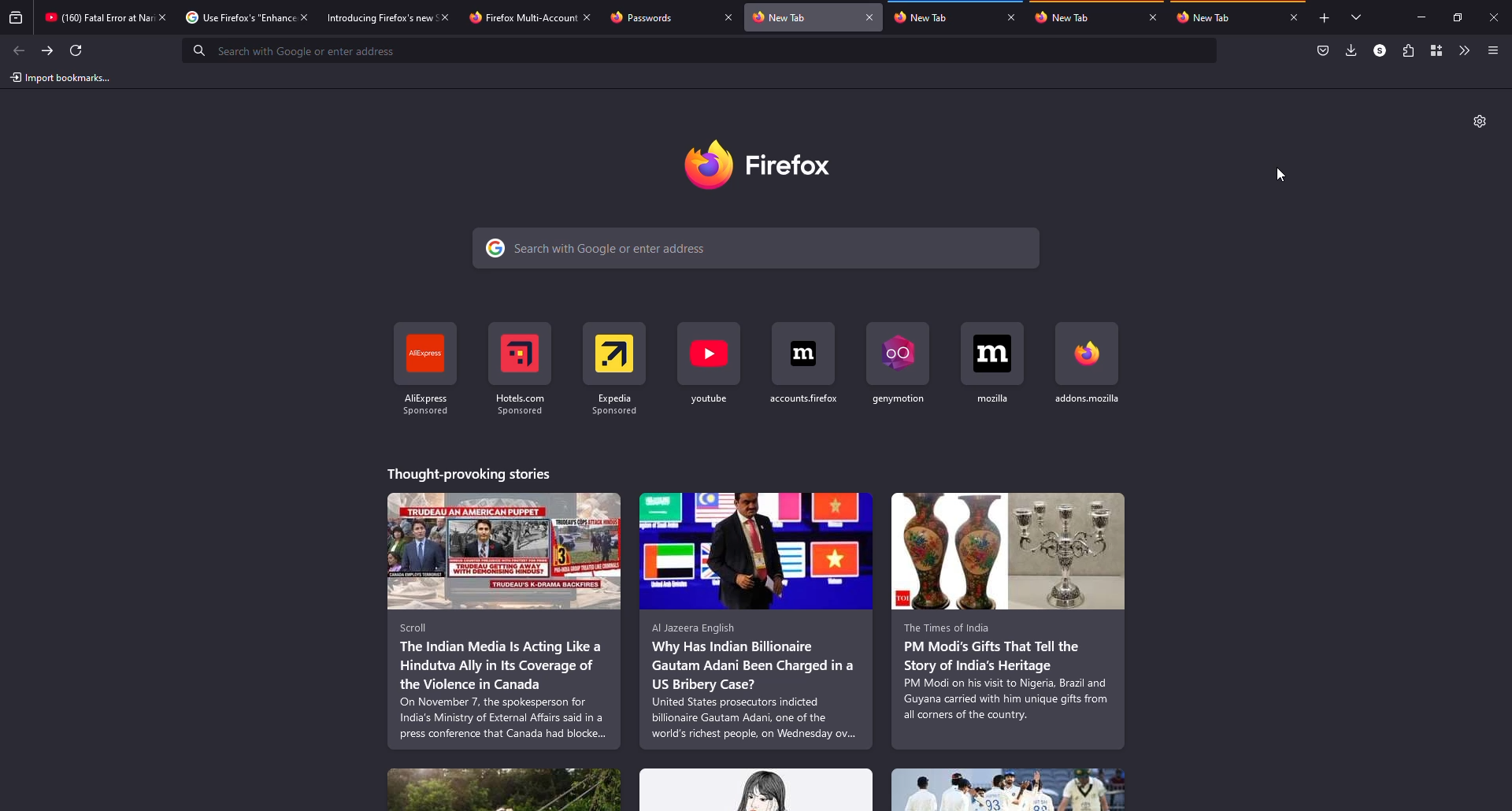  What do you see at coordinates (585, 16) in the screenshot?
I see `close` at bounding box center [585, 16].